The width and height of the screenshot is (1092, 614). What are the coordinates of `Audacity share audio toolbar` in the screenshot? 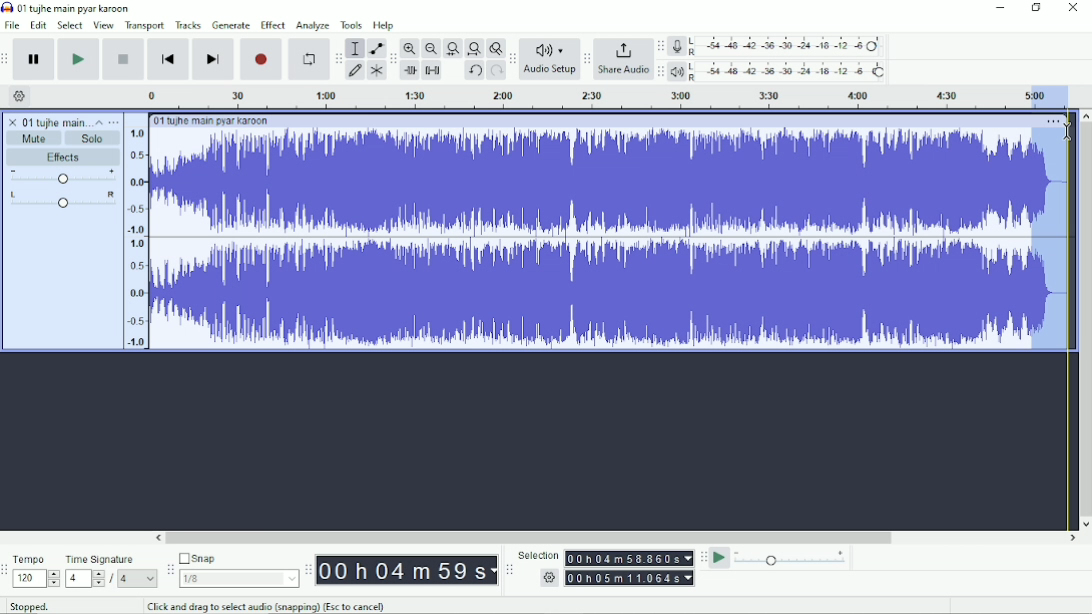 It's located at (588, 58).